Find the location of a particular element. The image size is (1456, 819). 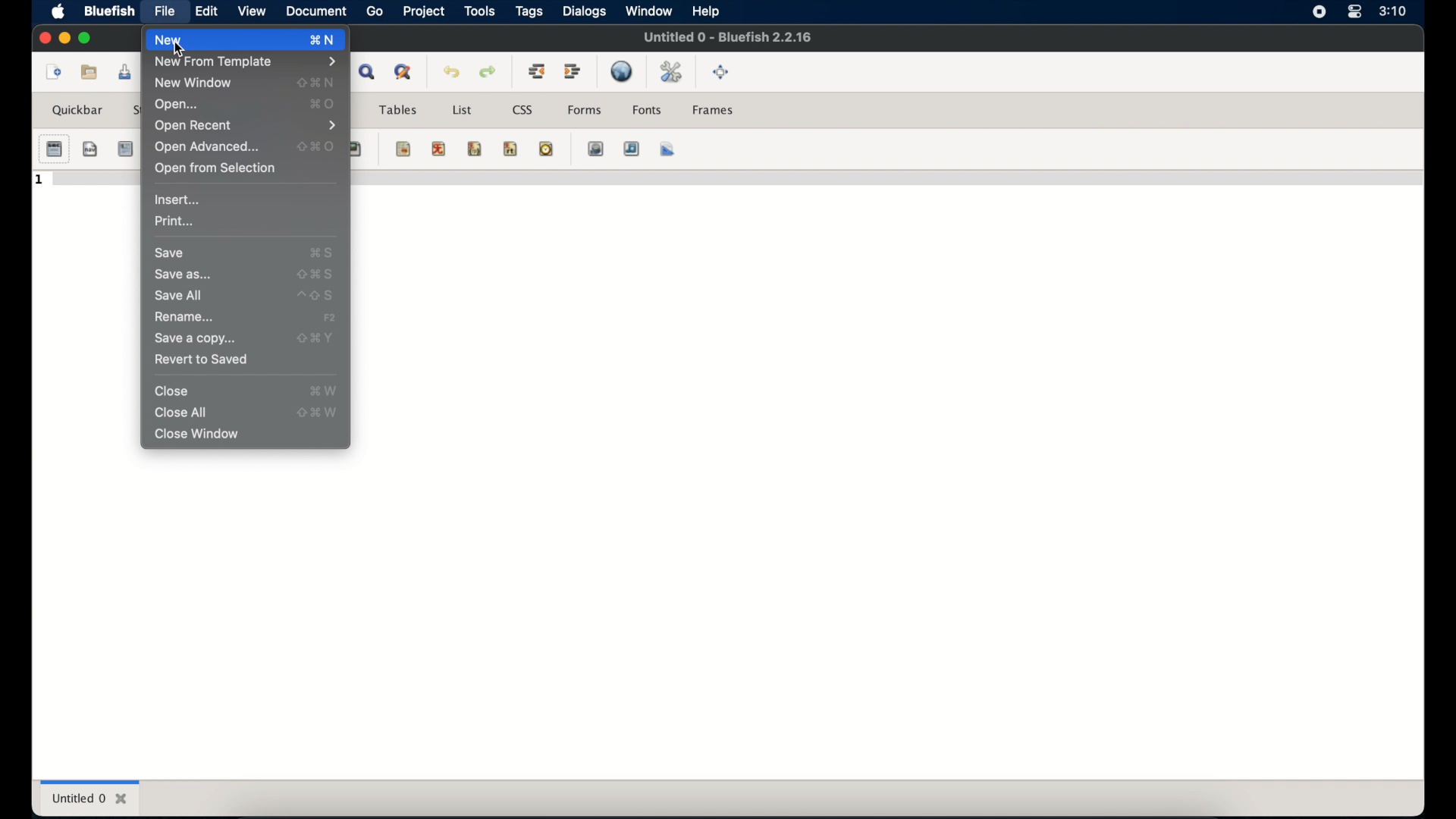

minimize is located at coordinates (64, 39).